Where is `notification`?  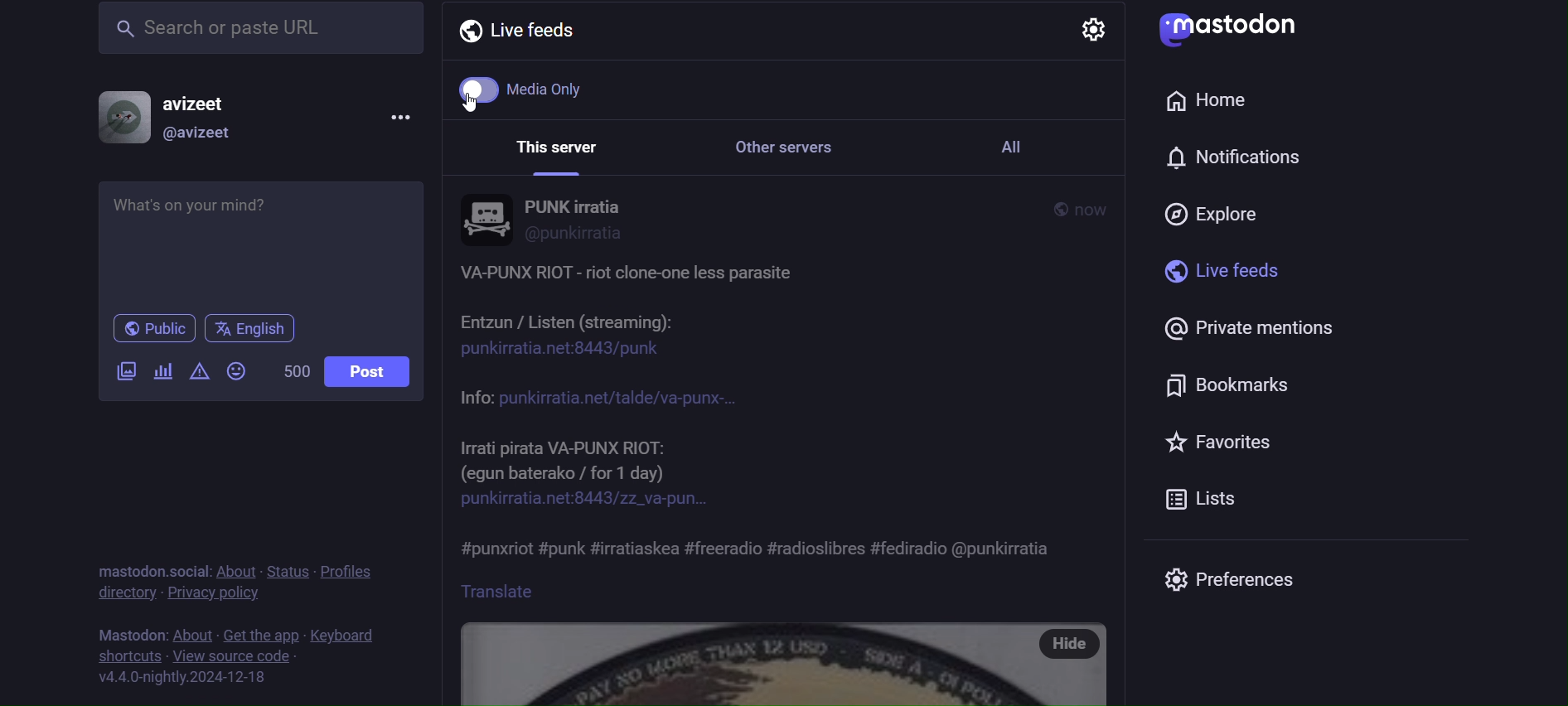 notification is located at coordinates (1228, 157).